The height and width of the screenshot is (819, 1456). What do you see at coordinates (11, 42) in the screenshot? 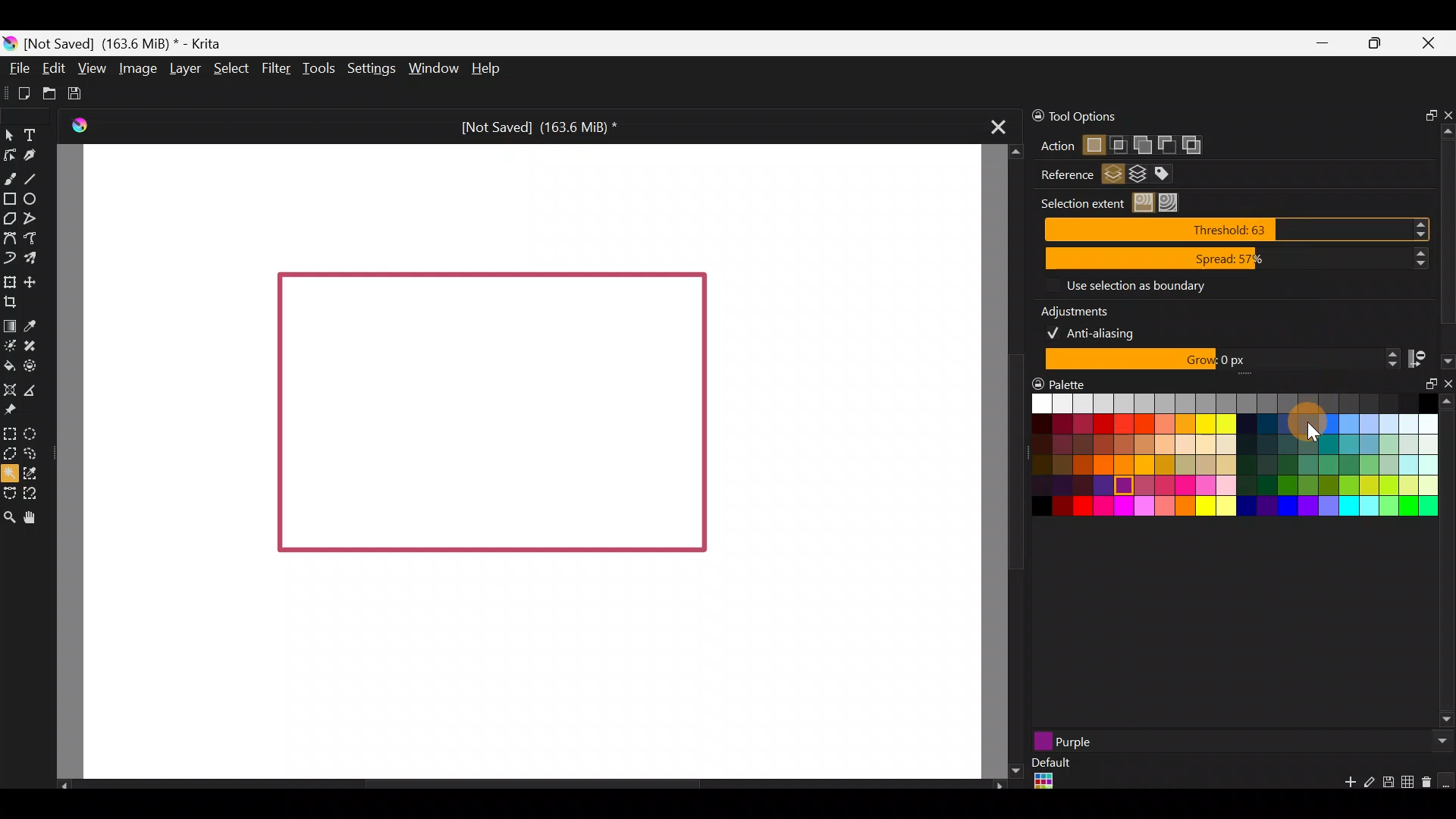
I see `Krita logo` at bounding box center [11, 42].